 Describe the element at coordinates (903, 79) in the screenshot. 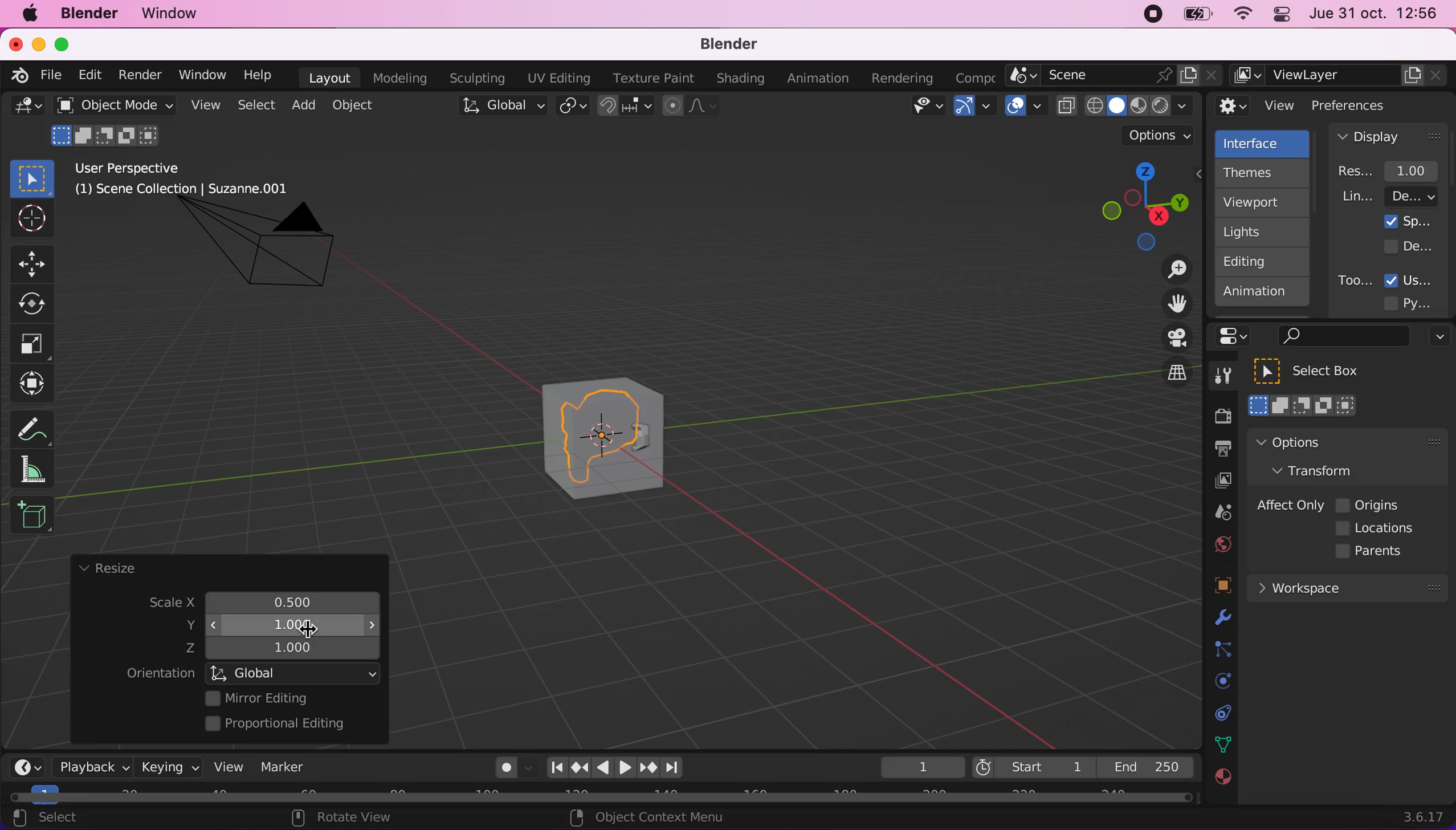

I see `rendering` at that location.